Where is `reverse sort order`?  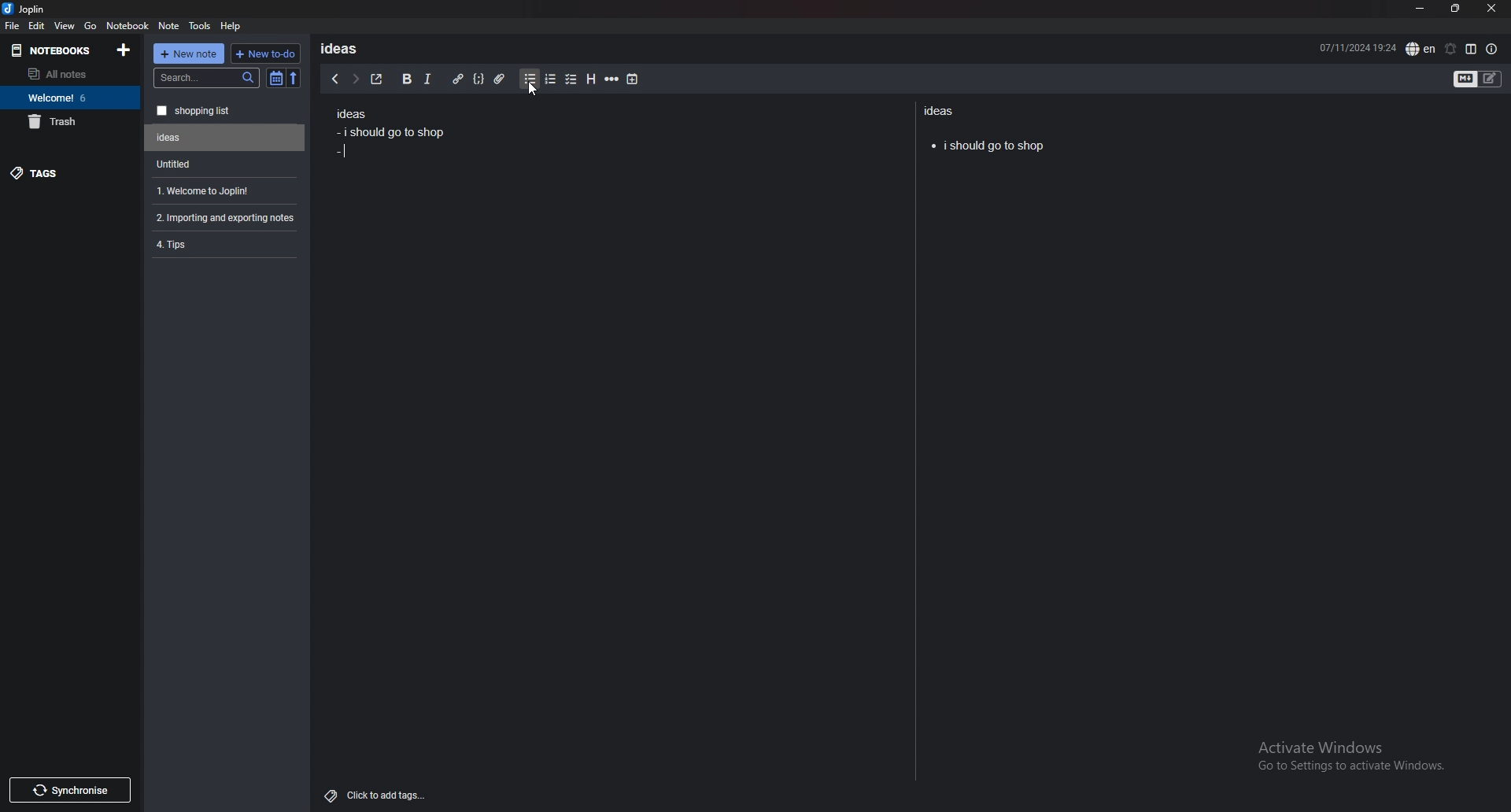
reverse sort order is located at coordinates (294, 79).